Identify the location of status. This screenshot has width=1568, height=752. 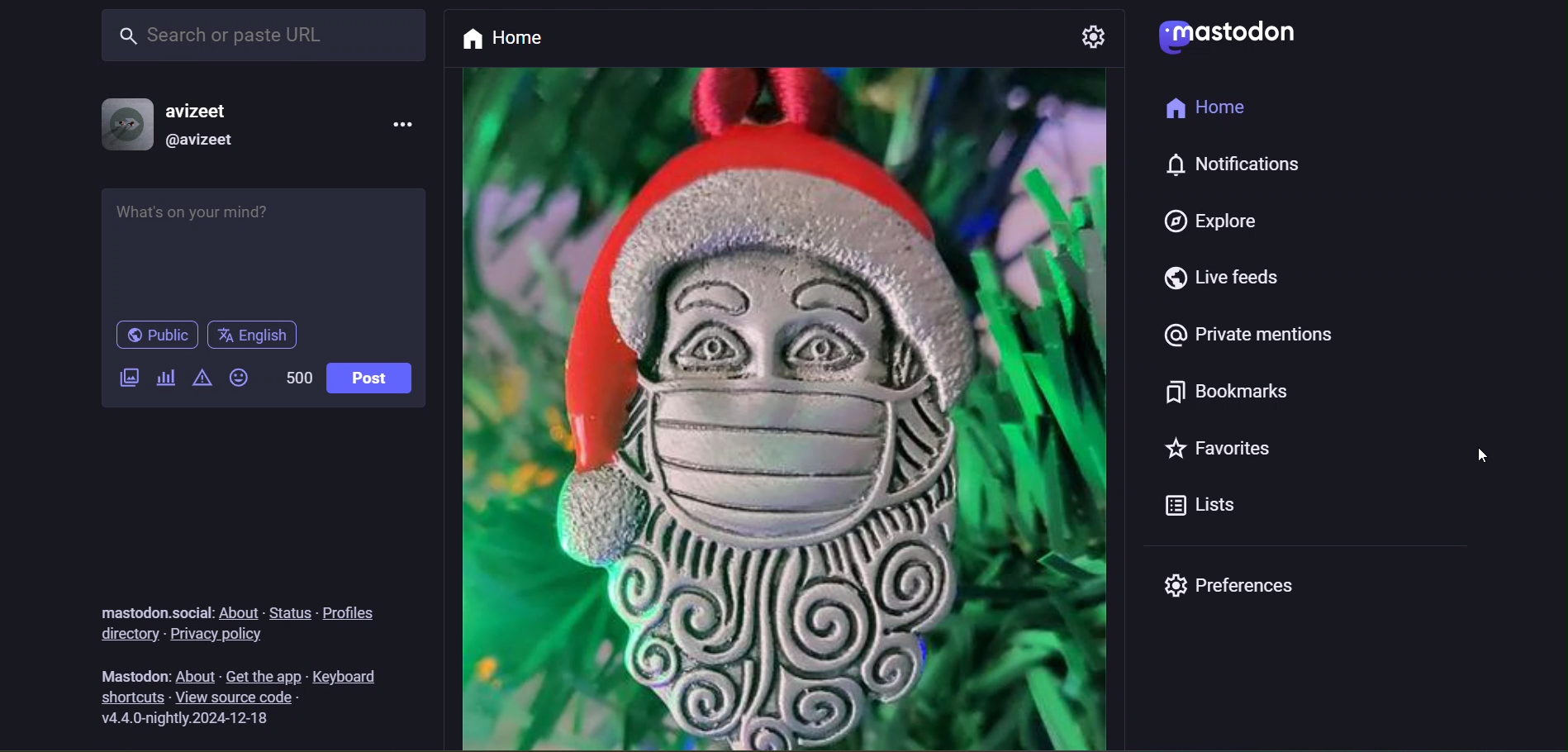
(287, 609).